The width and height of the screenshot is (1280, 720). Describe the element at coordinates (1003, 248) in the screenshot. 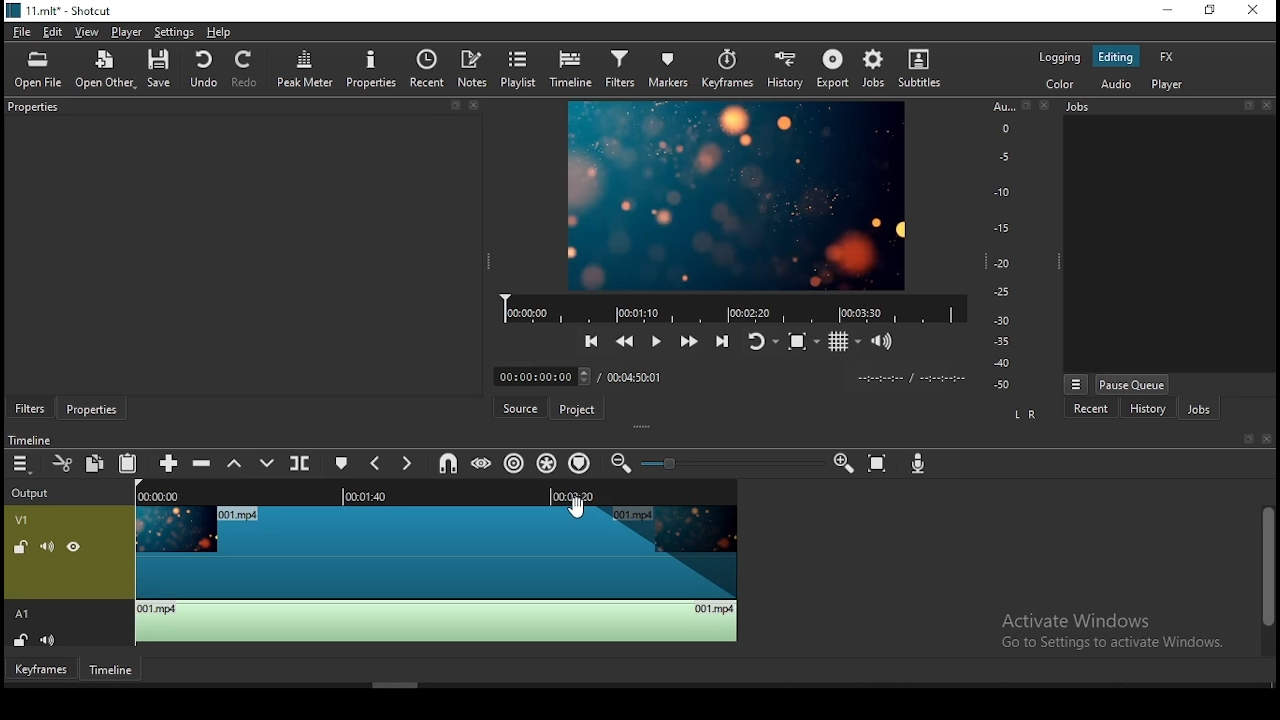

I see `scale` at that location.